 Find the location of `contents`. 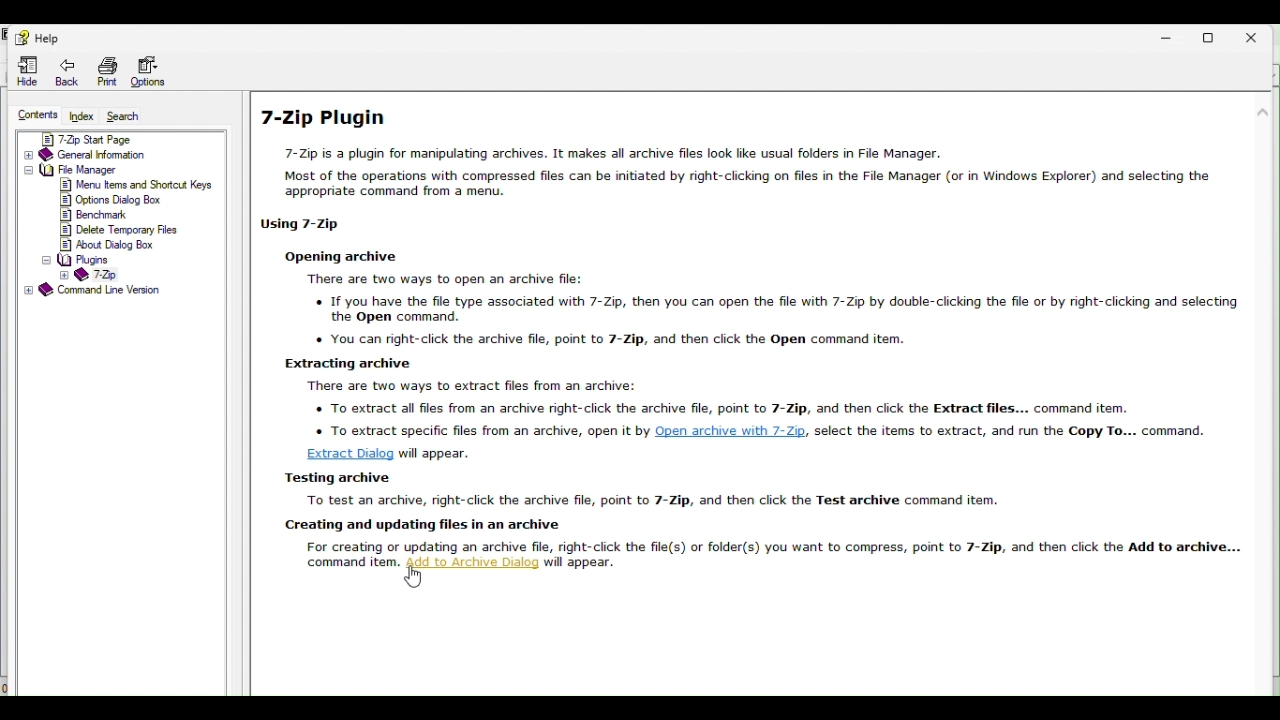

contents is located at coordinates (37, 113).